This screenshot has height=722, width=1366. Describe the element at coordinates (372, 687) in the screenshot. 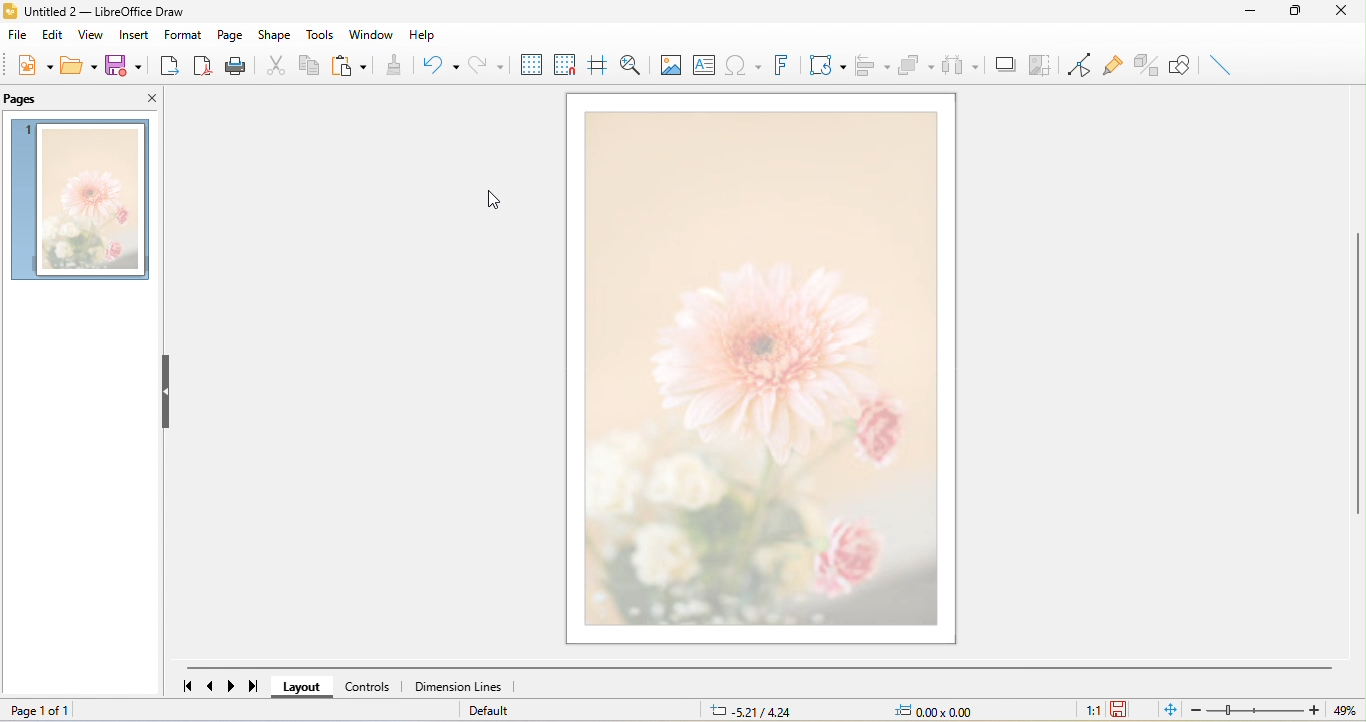

I see `controls` at that location.